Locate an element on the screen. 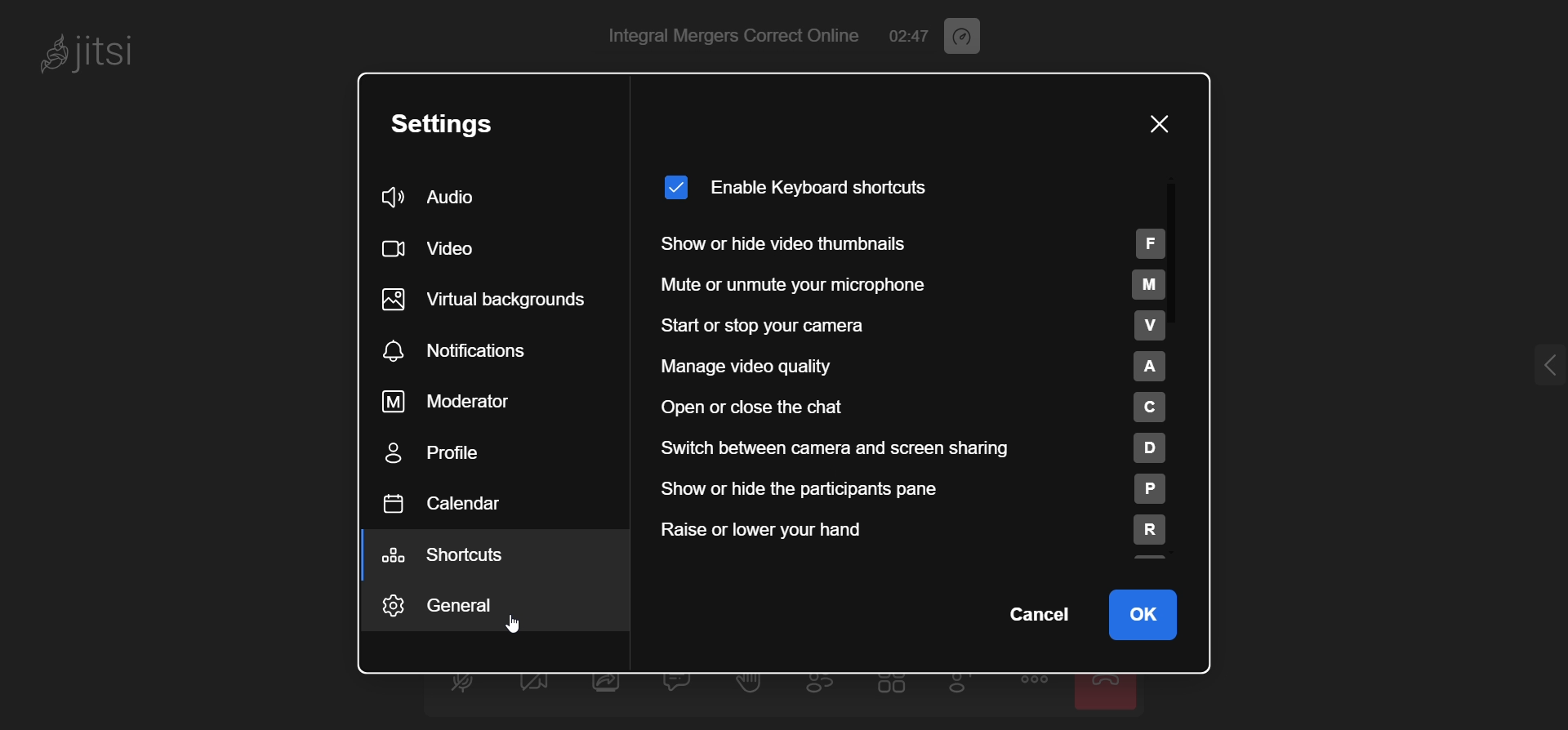  02:47 is located at coordinates (906, 34).